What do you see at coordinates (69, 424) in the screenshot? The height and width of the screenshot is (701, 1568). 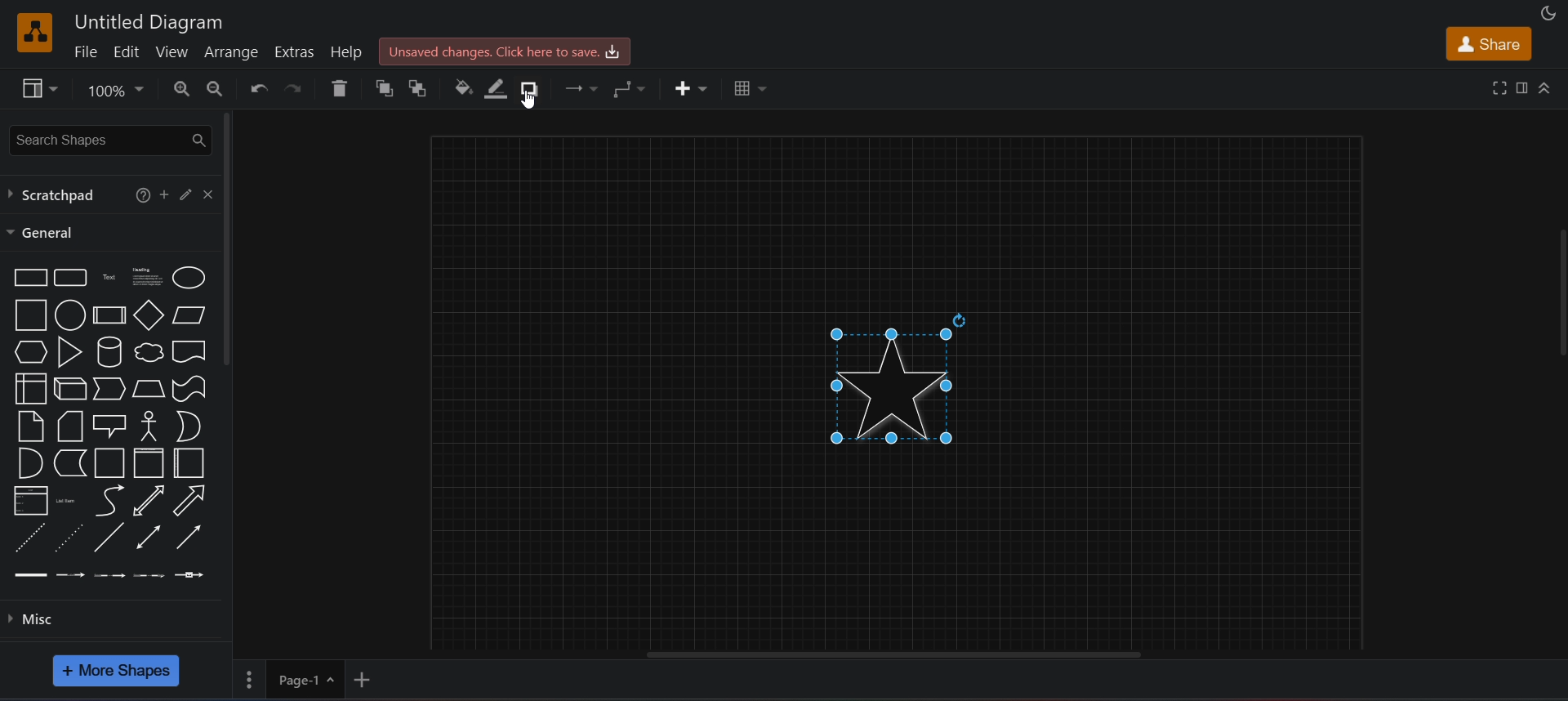 I see `card` at bounding box center [69, 424].